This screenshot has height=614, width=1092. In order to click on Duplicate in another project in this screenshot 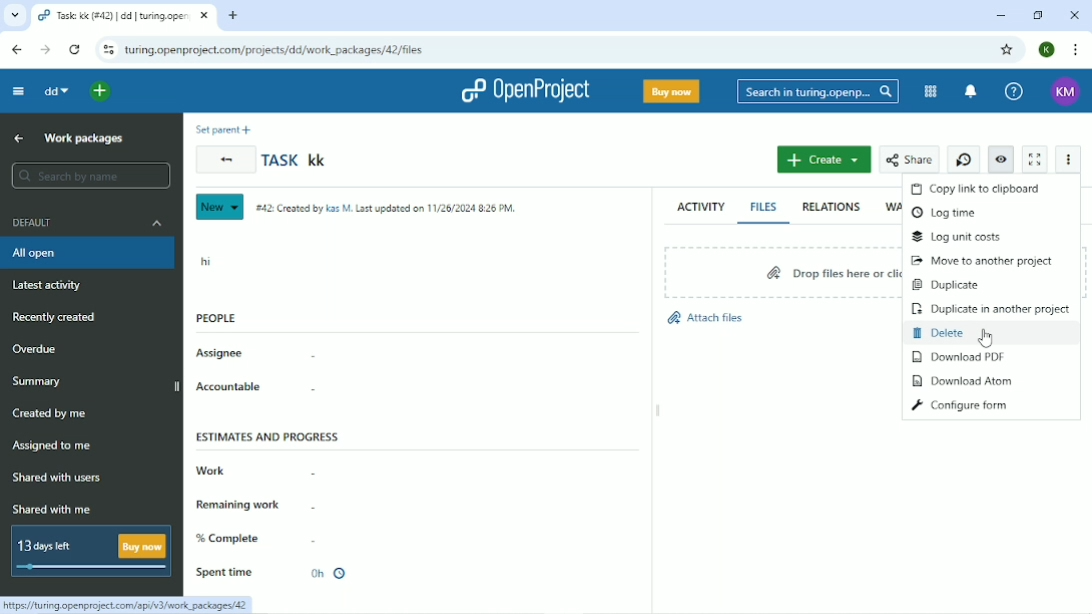, I will do `click(993, 308)`.